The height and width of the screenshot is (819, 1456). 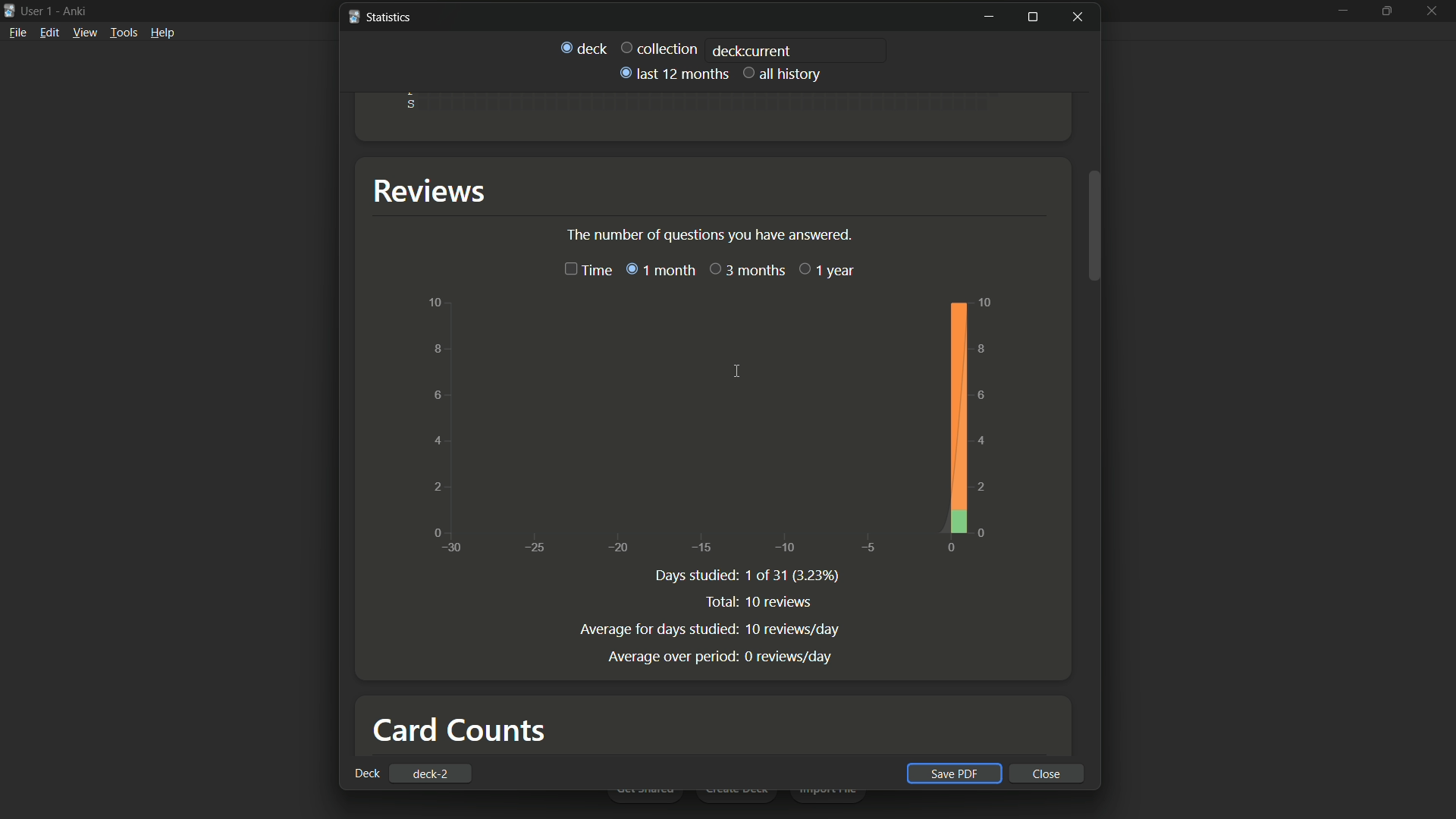 What do you see at coordinates (791, 629) in the screenshot?
I see `10 Reviews per day` at bounding box center [791, 629].